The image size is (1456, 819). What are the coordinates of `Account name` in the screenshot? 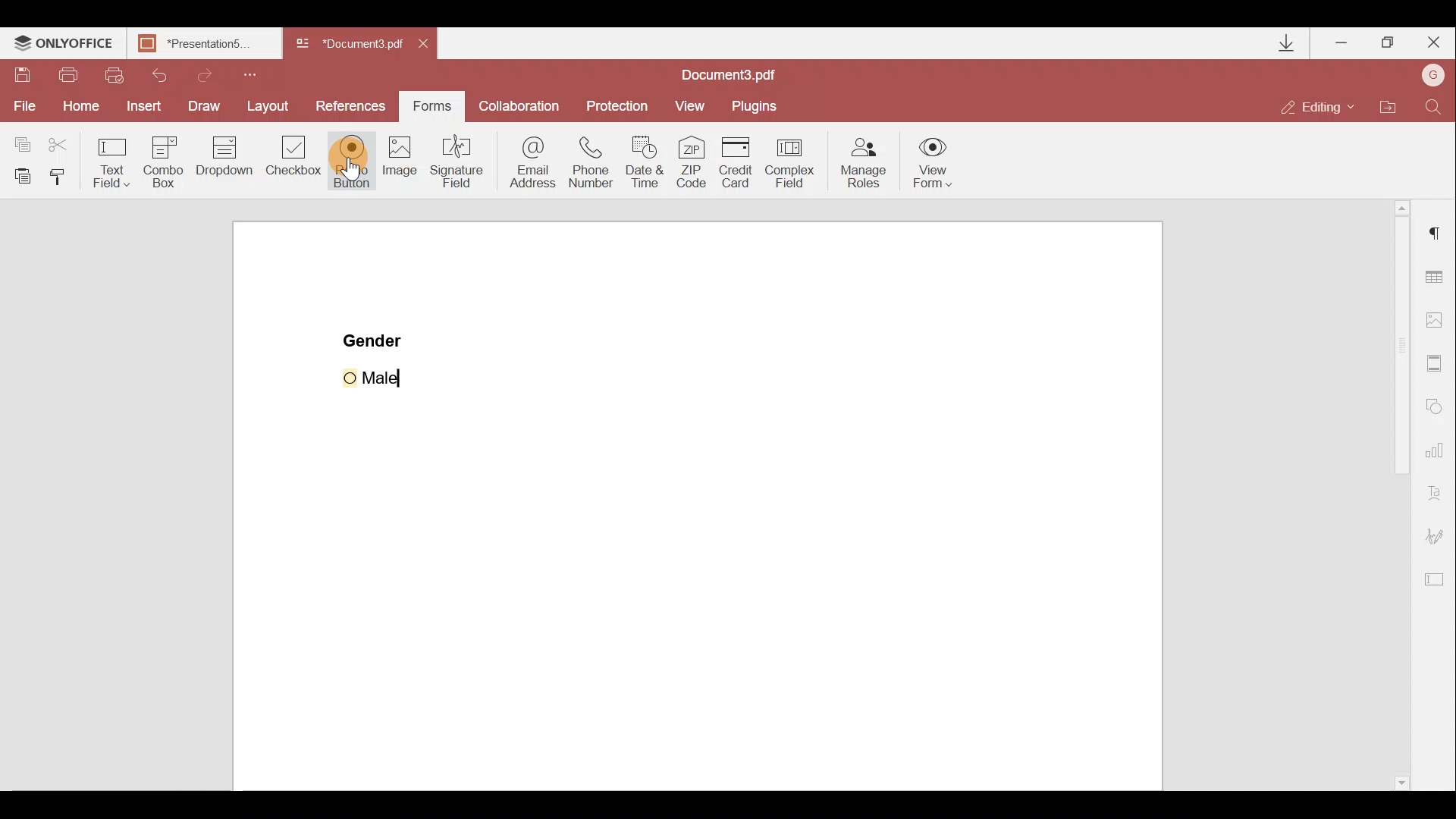 It's located at (1433, 75).